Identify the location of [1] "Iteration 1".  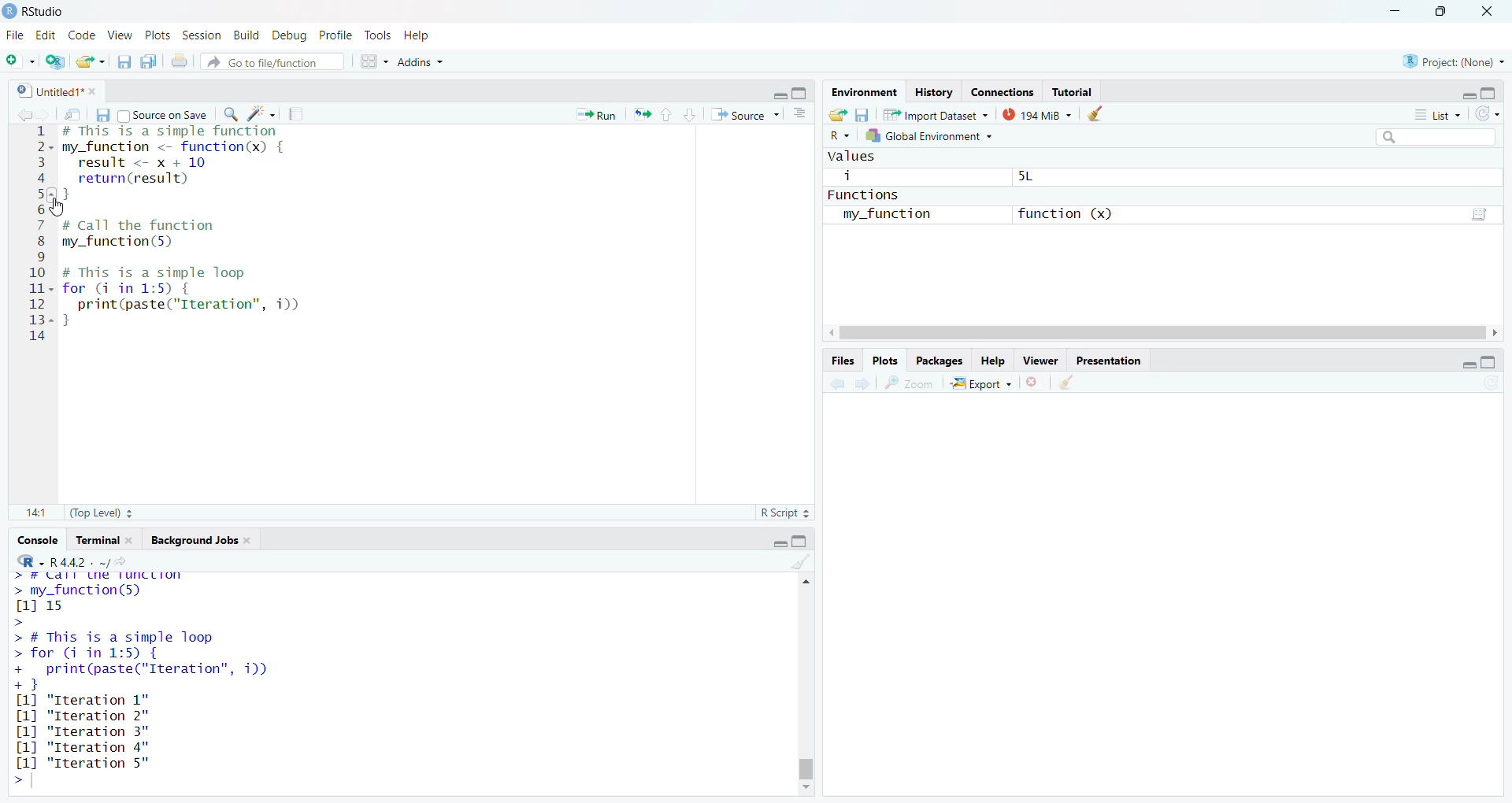
(91, 700).